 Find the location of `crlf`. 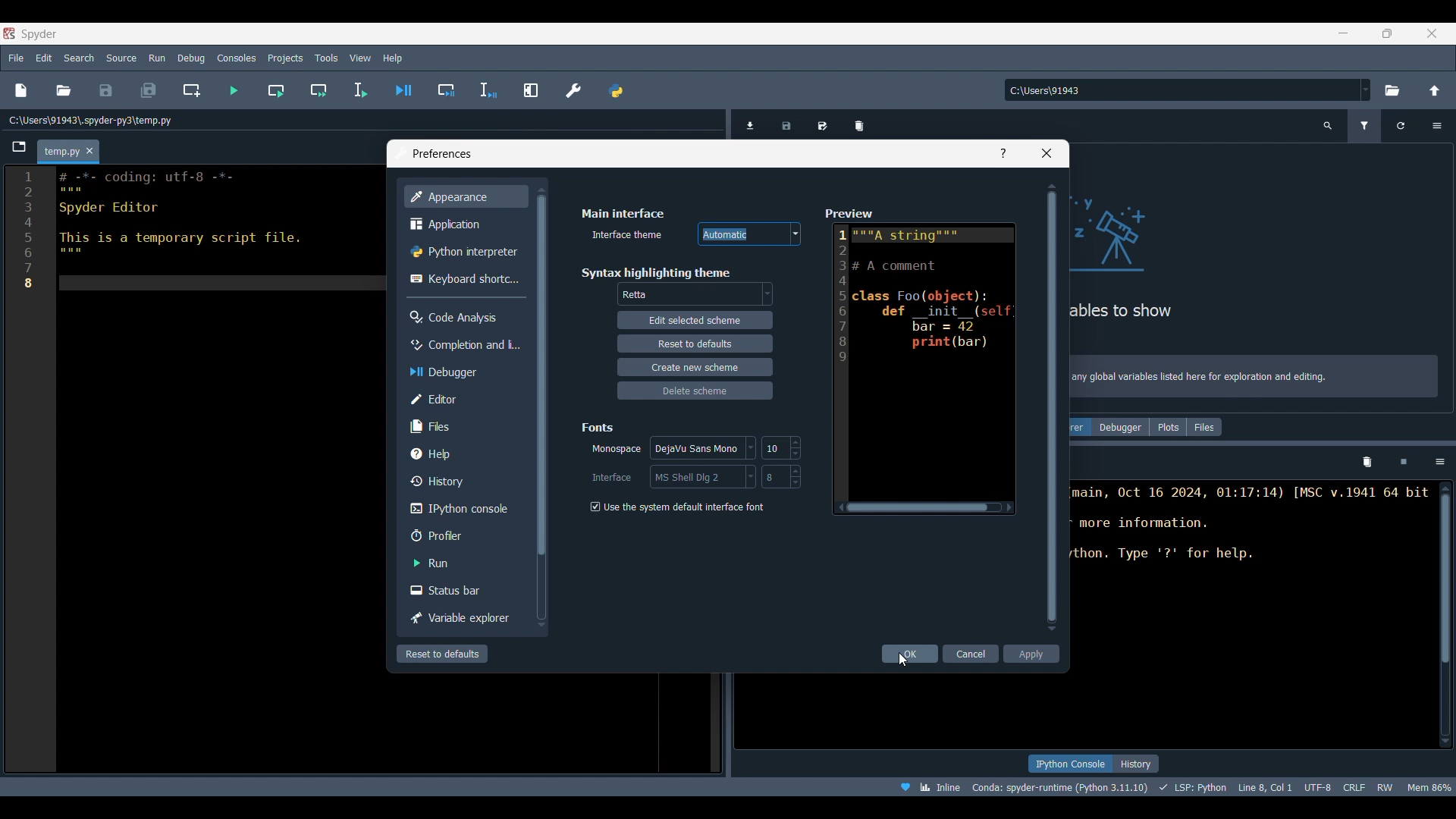

crlf is located at coordinates (1354, 786).